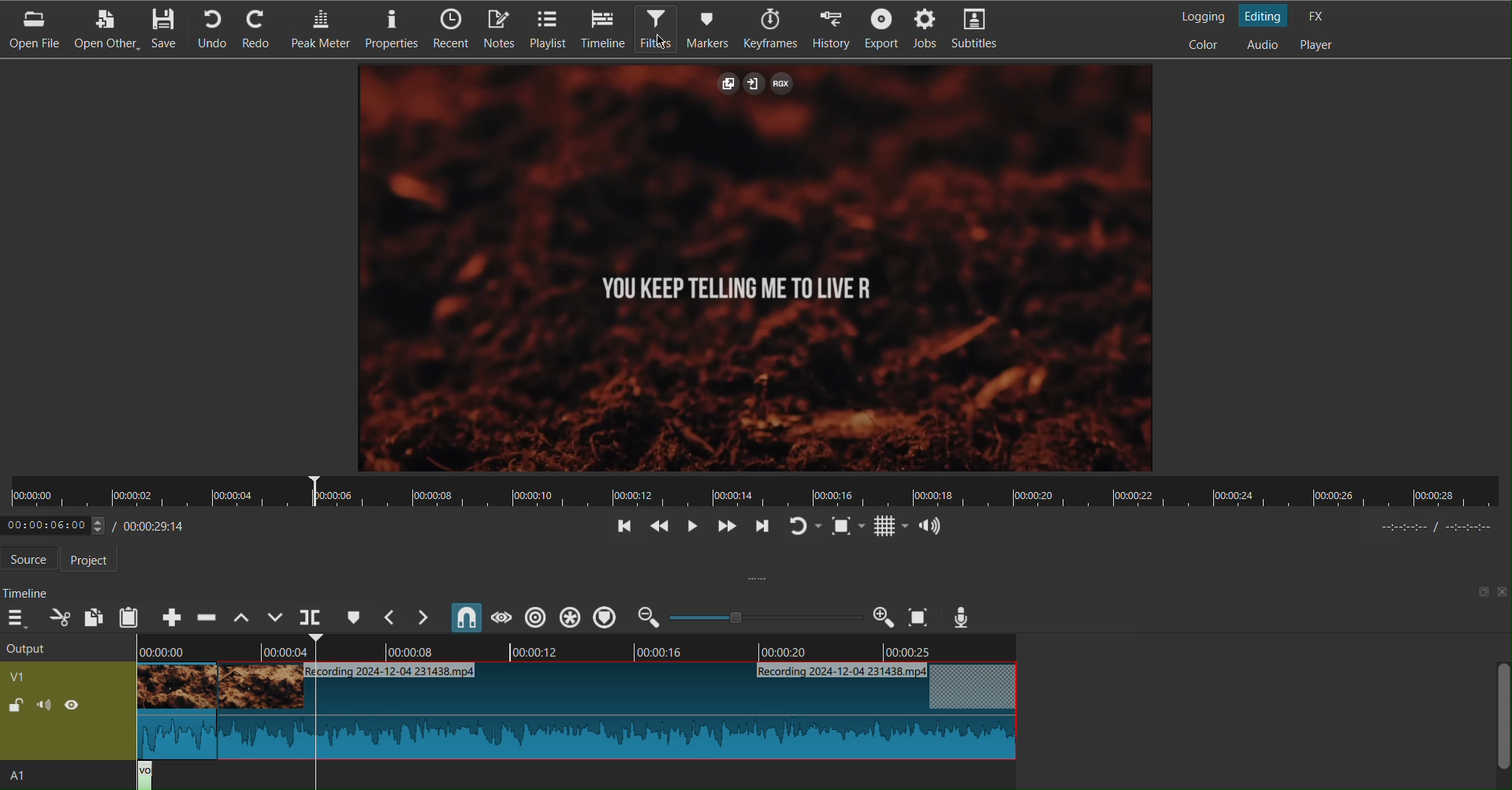 This screenshot has width=1512, height=790. What do you see at coordinates (805, 527) in the screenshot?
I see `Refresh` at bounding box center [805, 527].